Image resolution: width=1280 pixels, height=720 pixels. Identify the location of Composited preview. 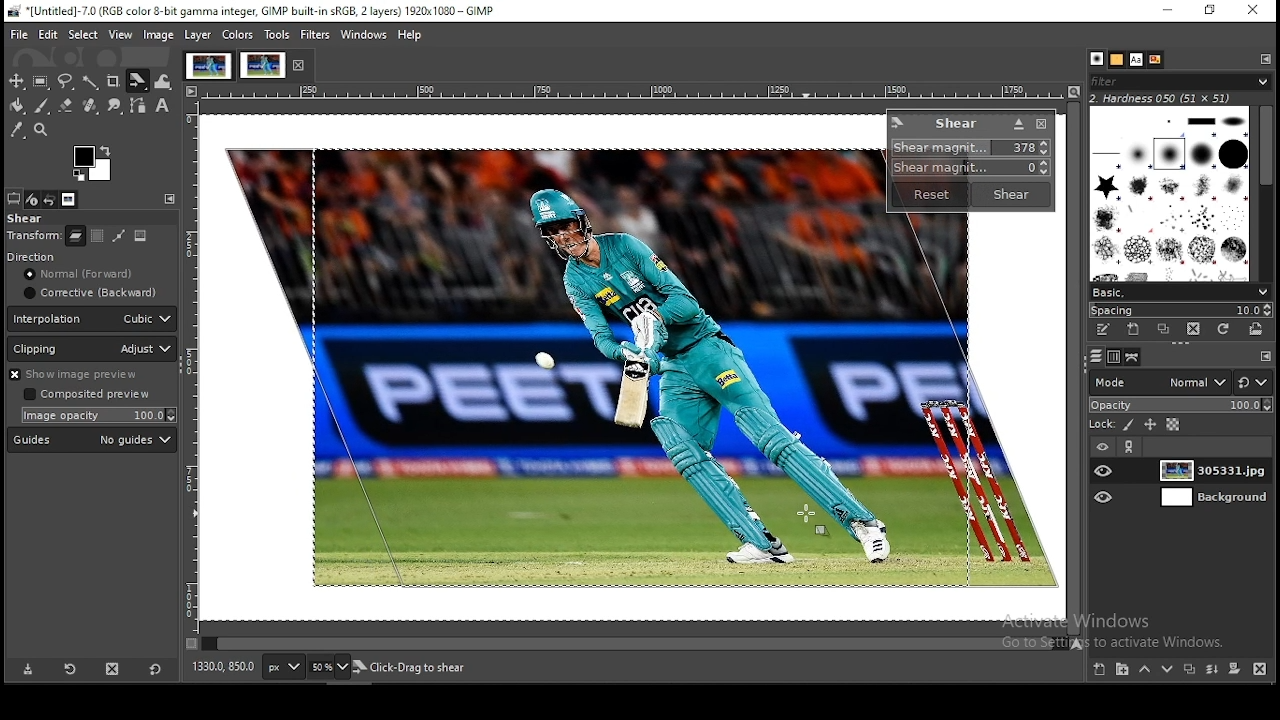
(89, 395).